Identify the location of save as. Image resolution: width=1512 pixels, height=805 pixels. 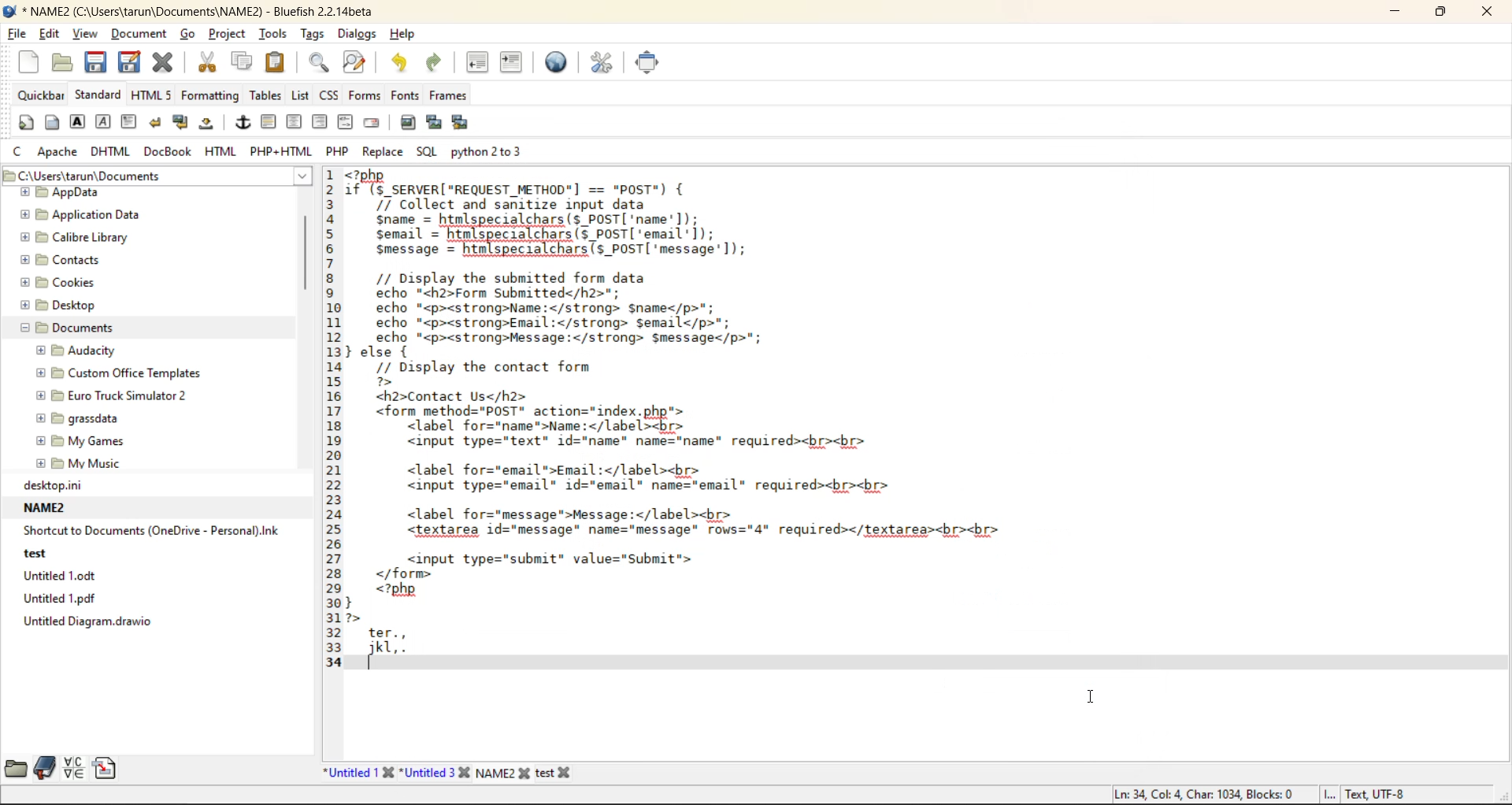
(132, 61).